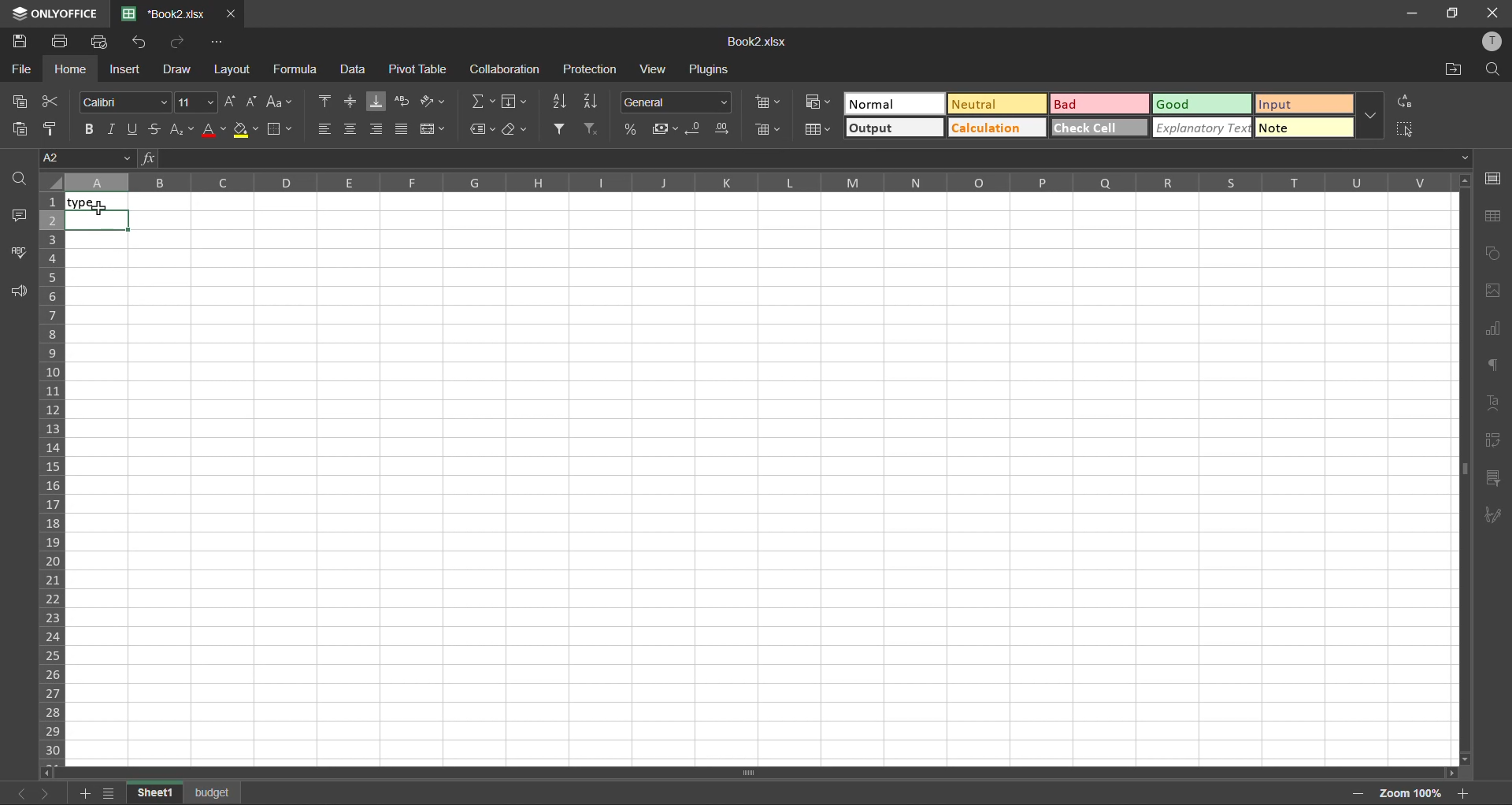 This screenshot has height=805, width=1512. Describe the element at coordinates (324, 129) in the screenshot. I see `align left` at that location.